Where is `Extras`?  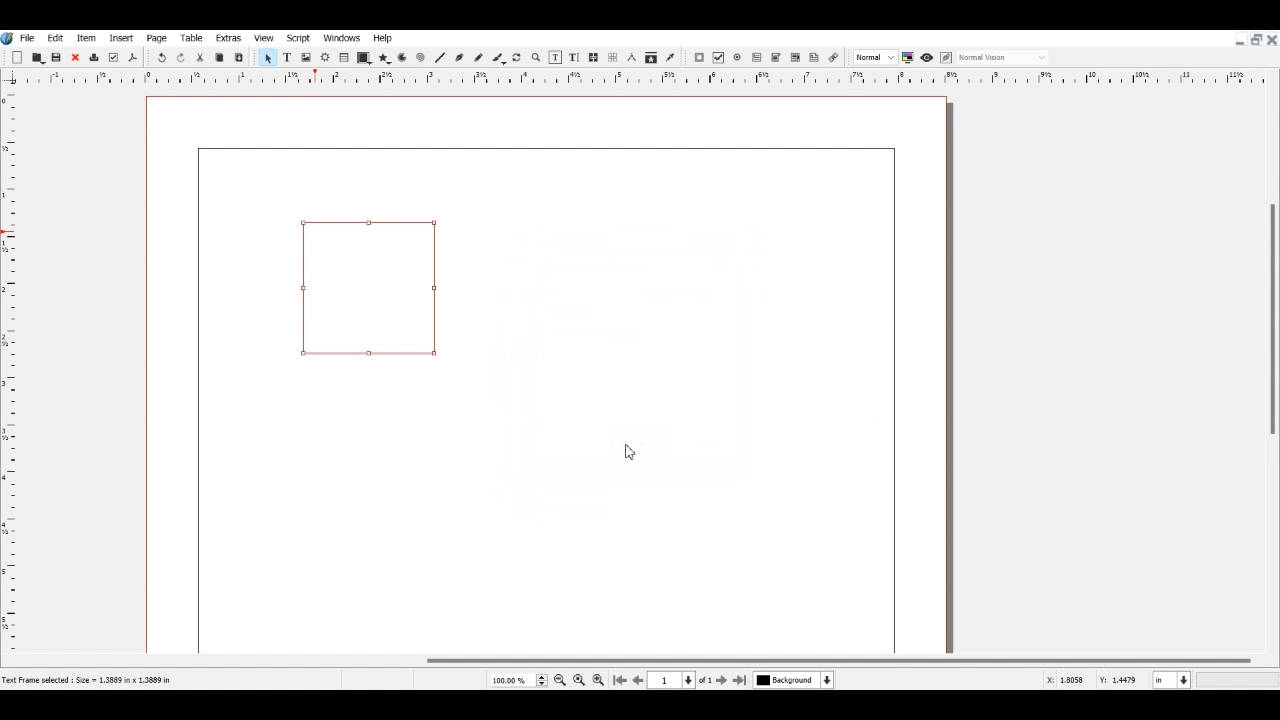
Extras is located at coordinates (228, 38).